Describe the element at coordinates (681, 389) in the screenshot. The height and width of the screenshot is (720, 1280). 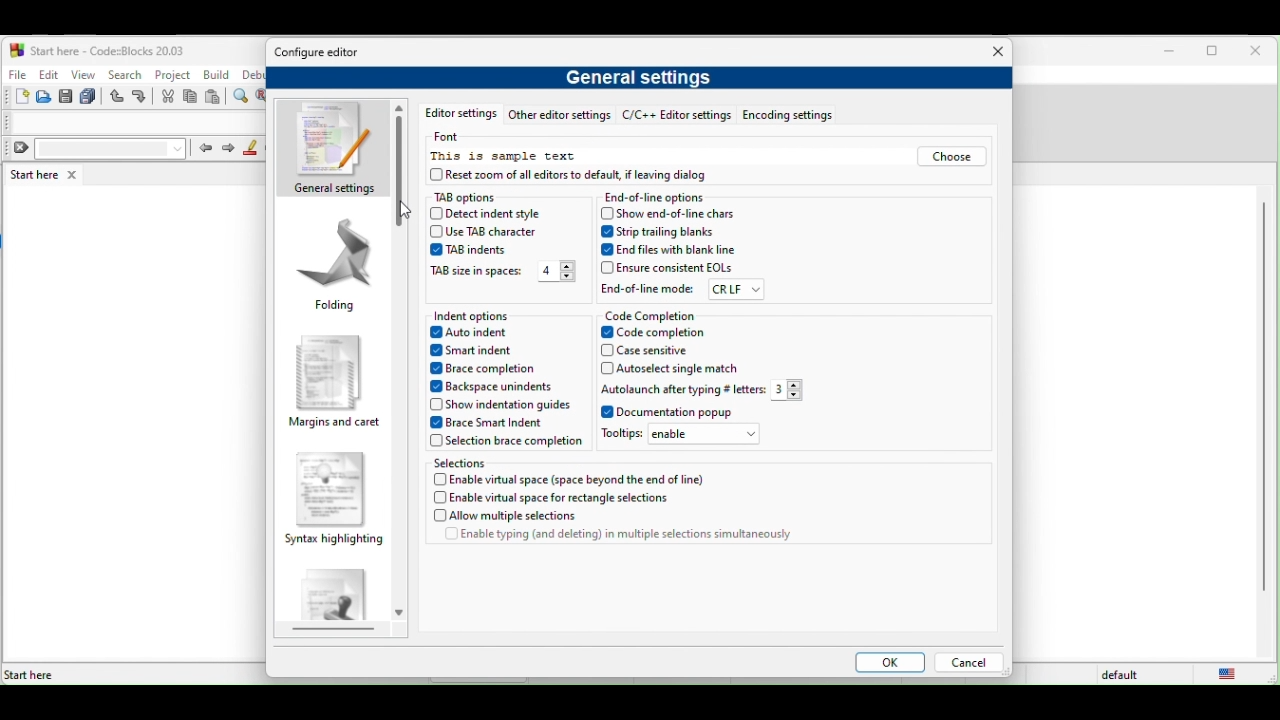
I see `autolaunch after typing # letters` at that location.